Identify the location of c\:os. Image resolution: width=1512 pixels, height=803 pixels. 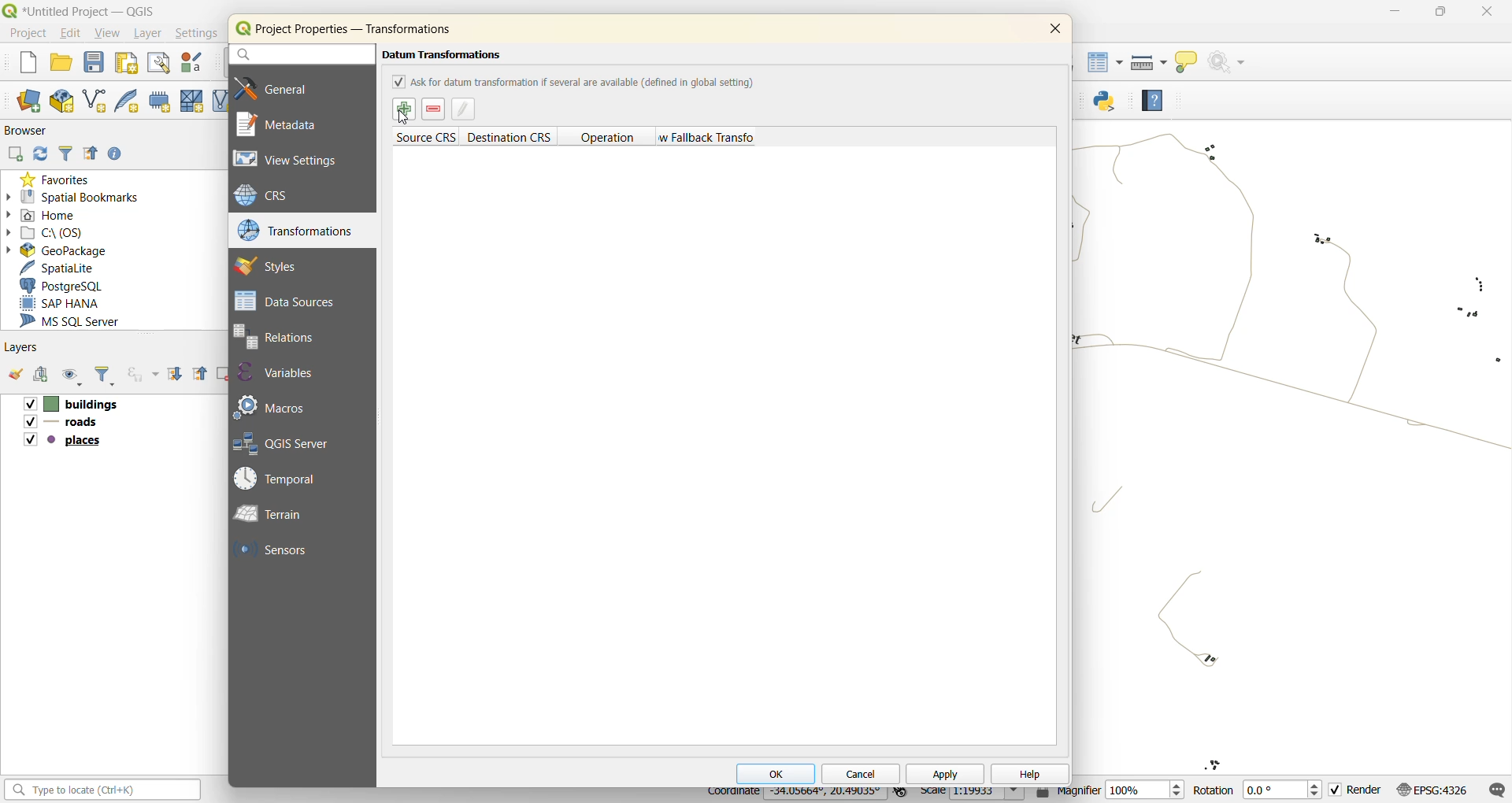
(53, 231).